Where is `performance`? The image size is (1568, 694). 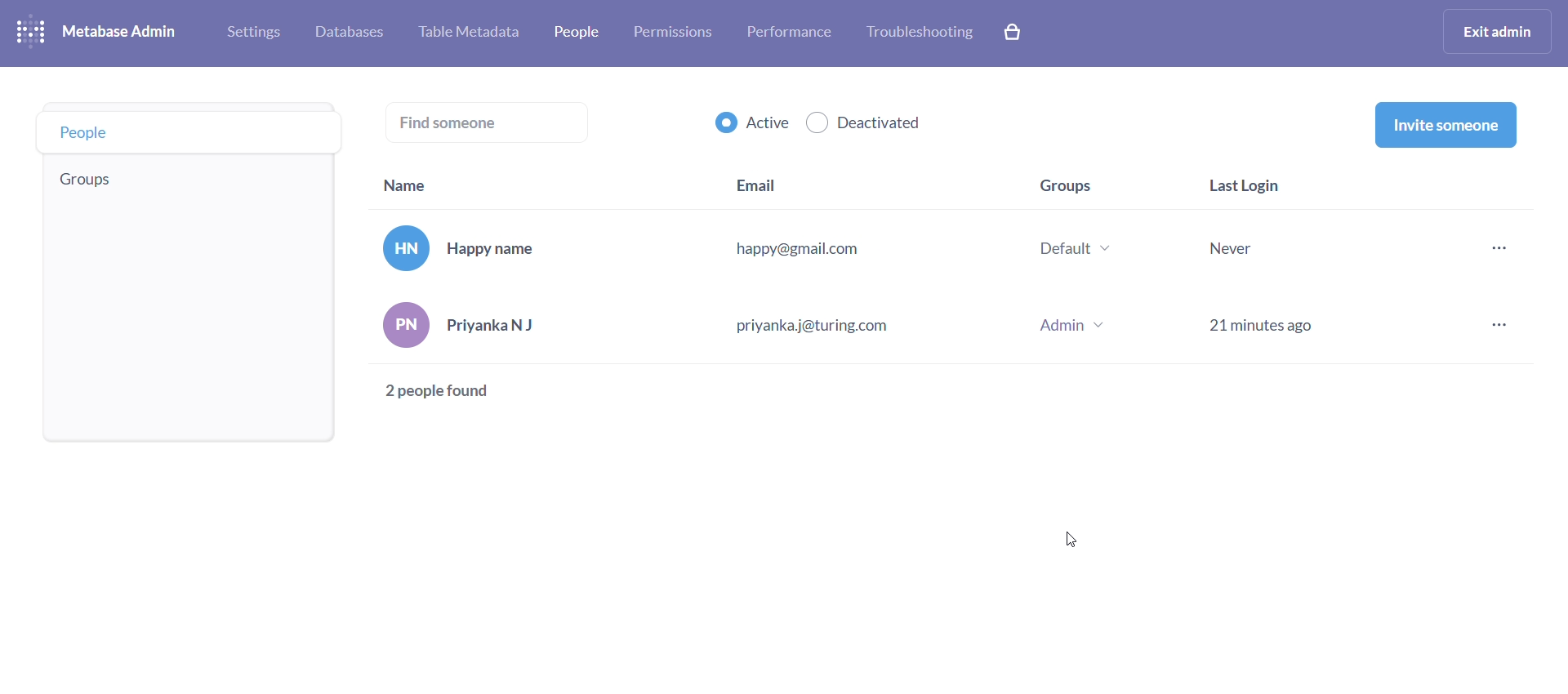
performance is located at coordinates (789, 31).